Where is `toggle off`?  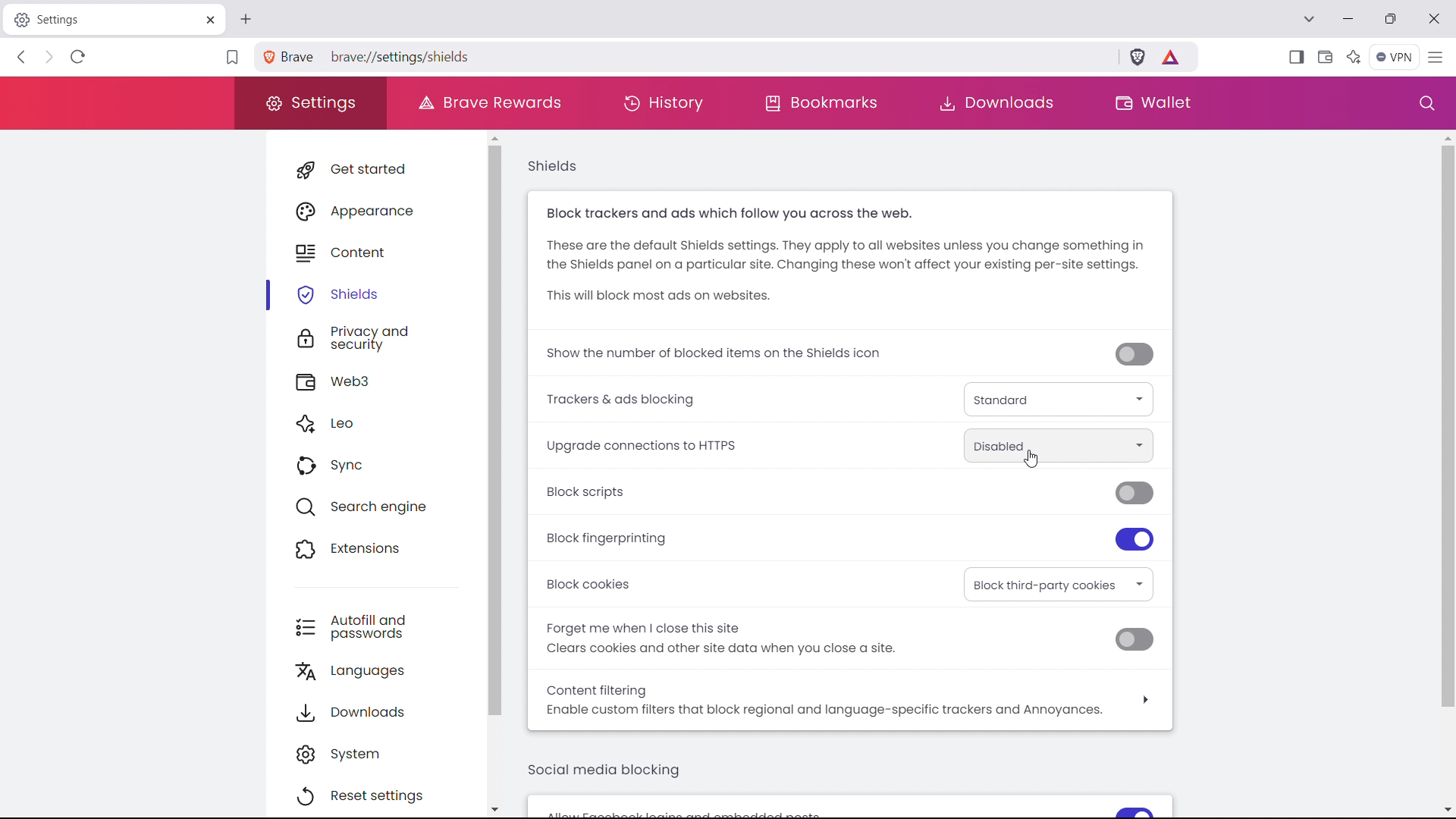
toggle off is located at coordinates (1137, 356).